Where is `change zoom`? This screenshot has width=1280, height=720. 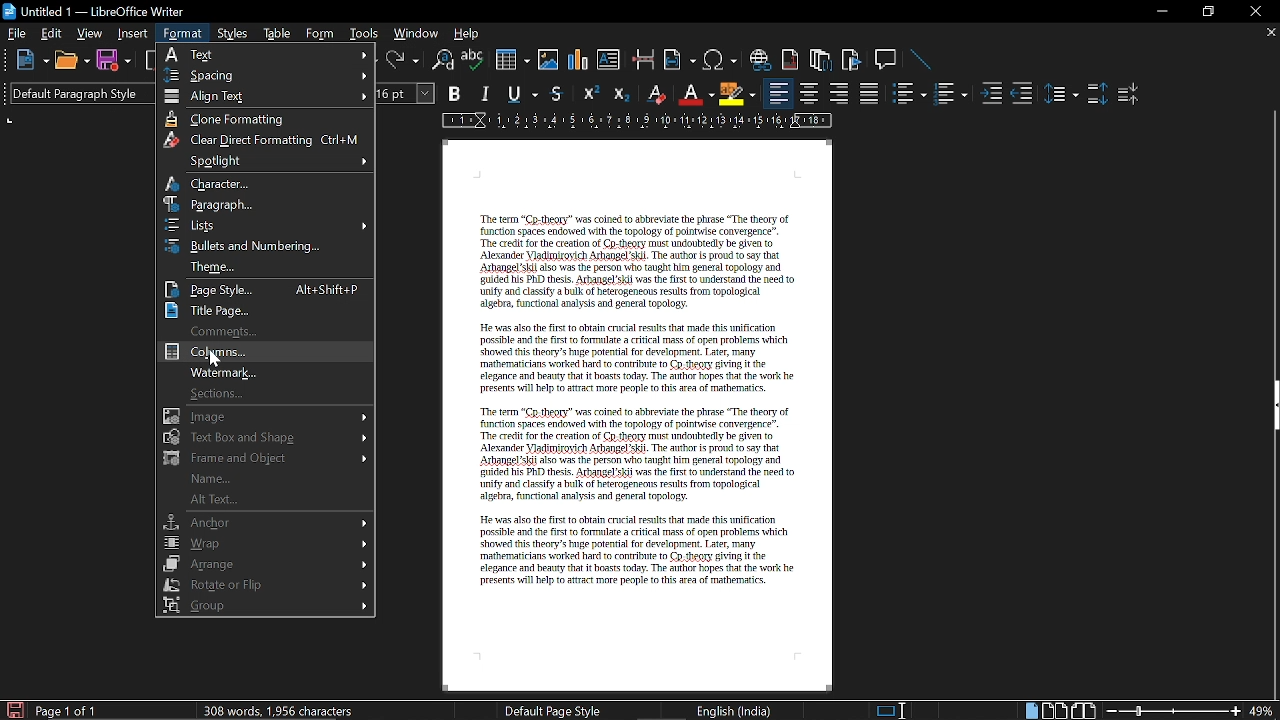 change zoom is located at coordinates (1191, 710).